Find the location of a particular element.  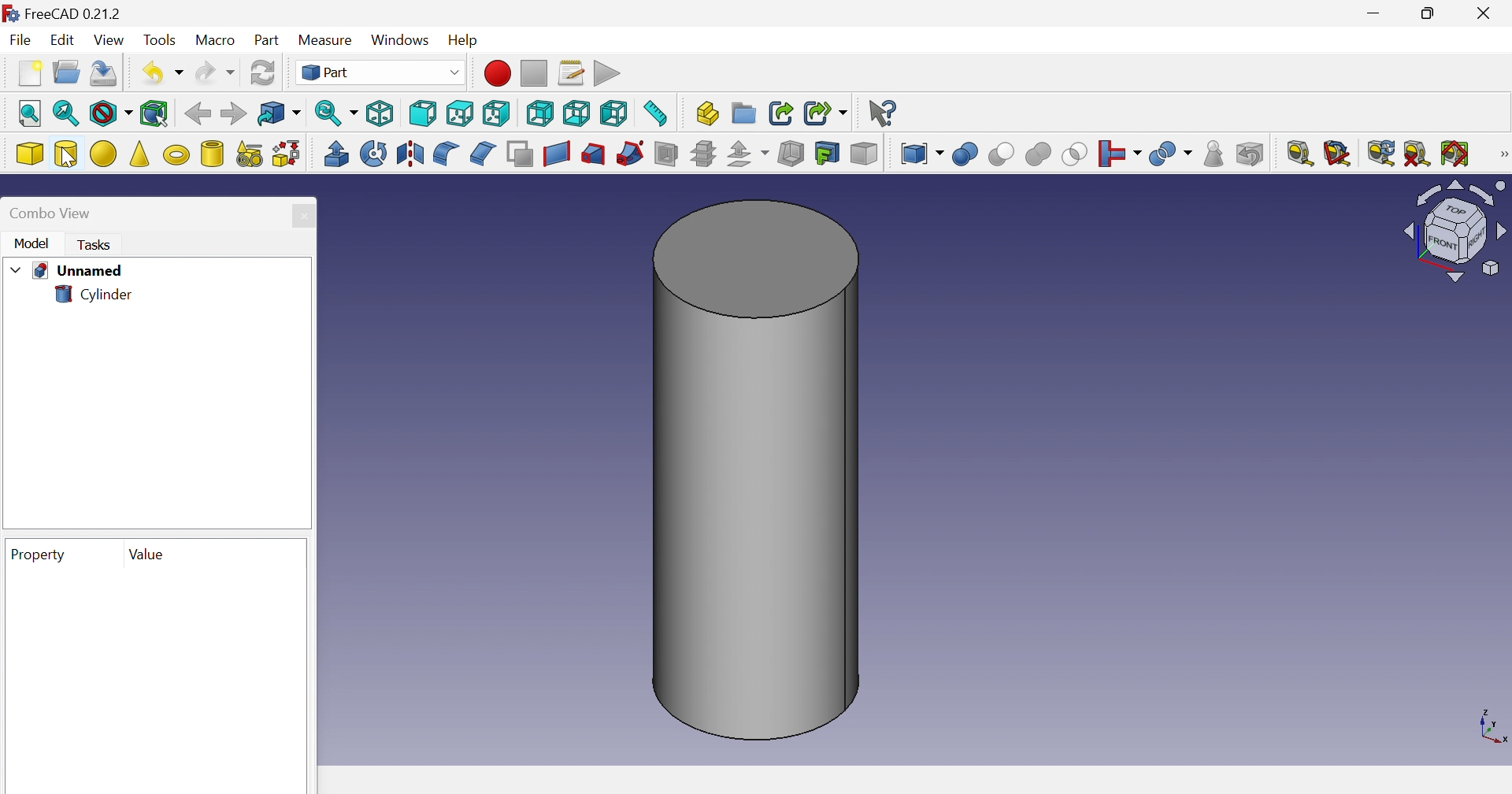

Tools is located at coordinates (161, 39).